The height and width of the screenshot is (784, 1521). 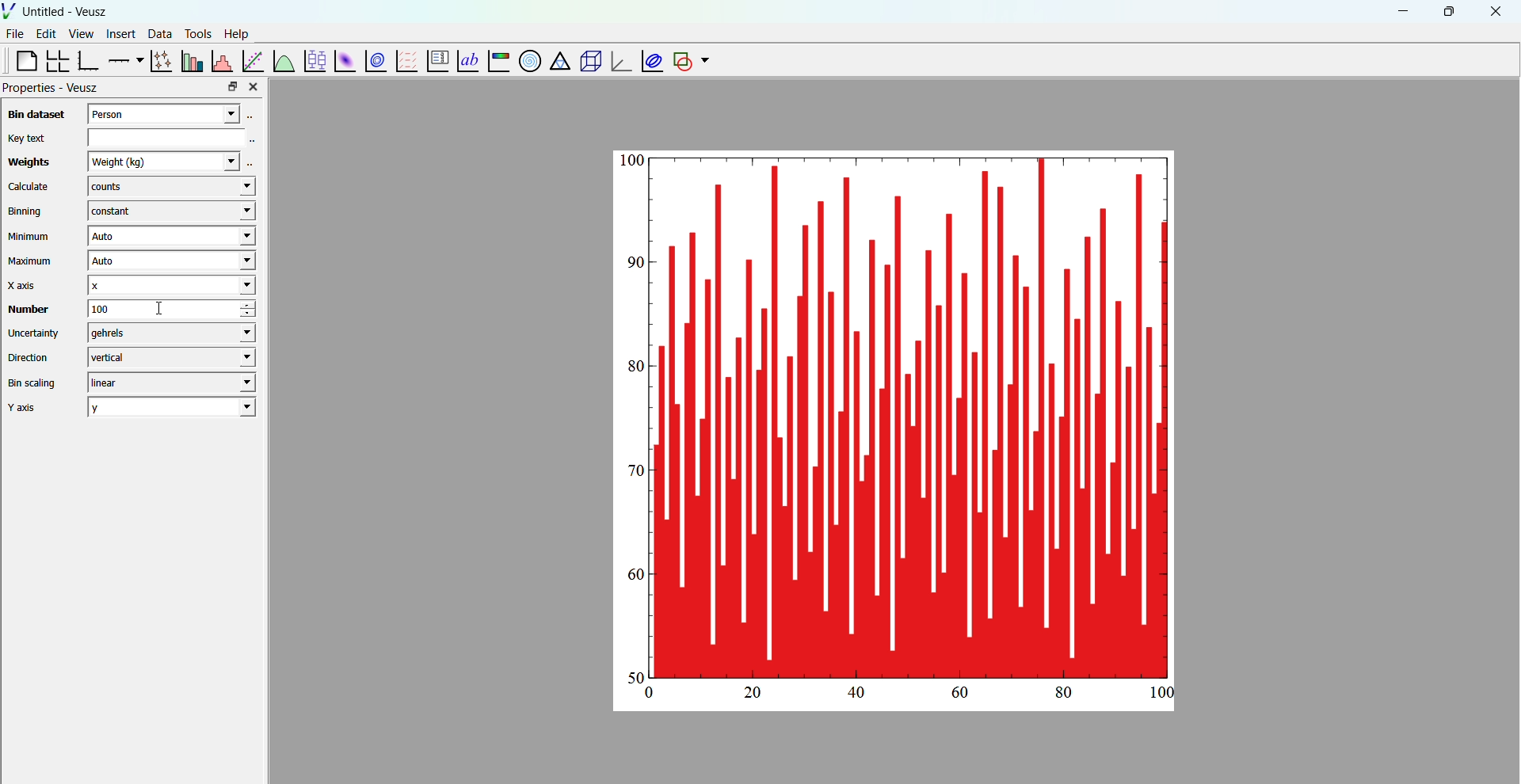 What do you see at coordinates (1401, 10) in the screenshot?
I see `minimize` at bounding box center [1401, 10].